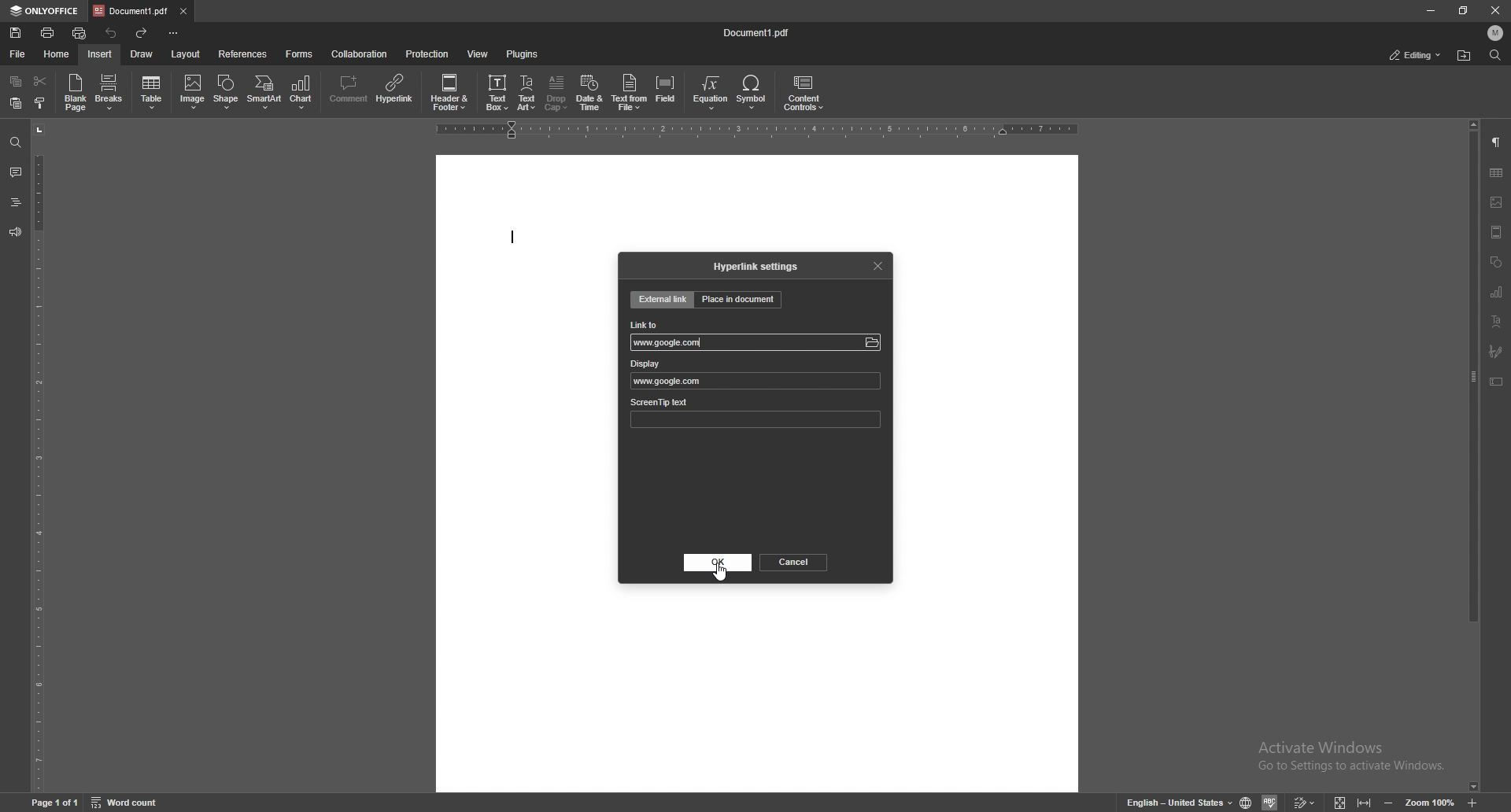 The width and height of the screenshot is (1511, 812). What do you see at coordinates (871, 342) in the screenshot?
I see `browse` at bounding box center [871, 342].